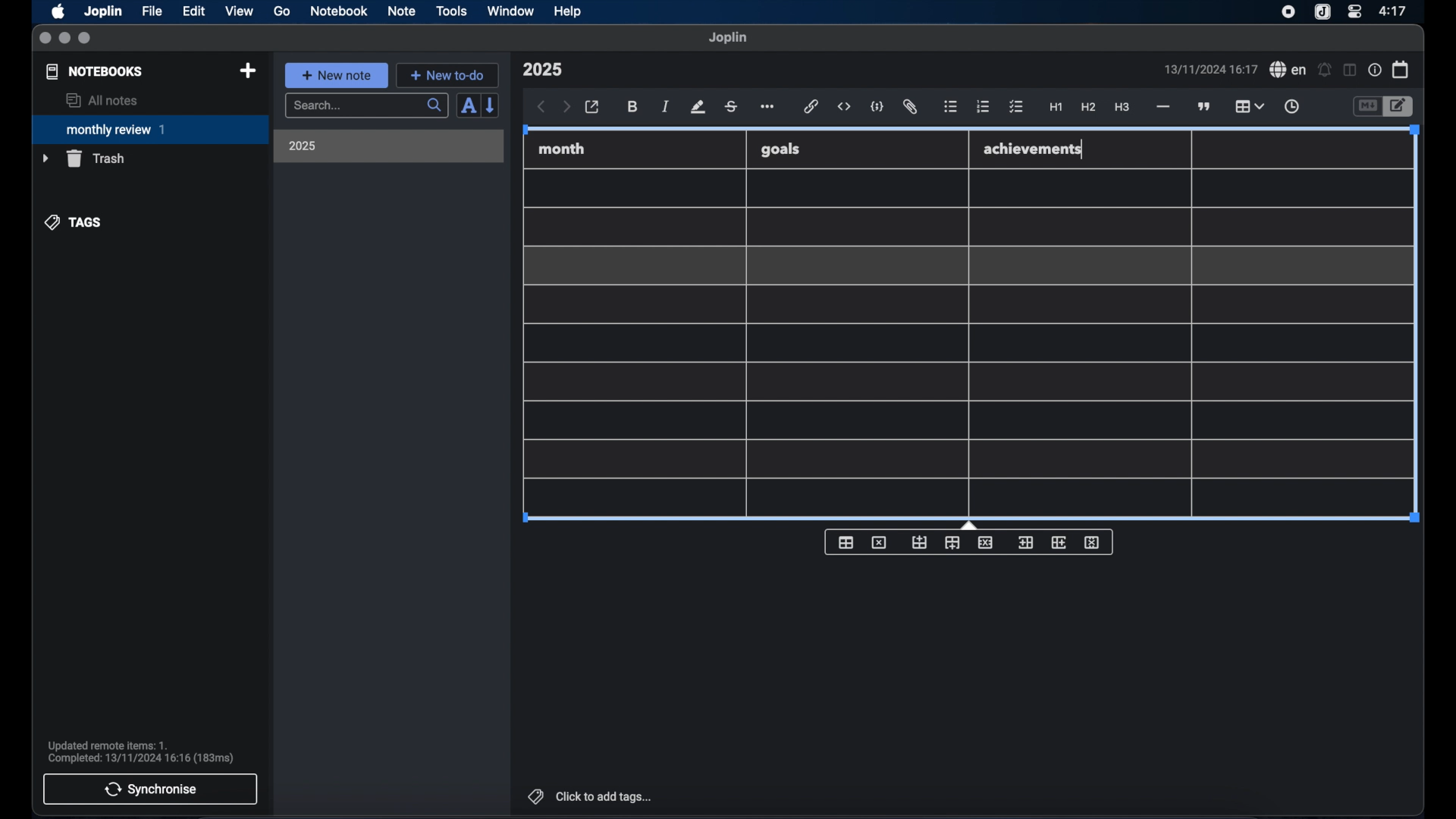 The image size is (1456, 819). What do you see at coordinates (1210, 69) in the screenshot?
I see `date` at bounding box center [1210, 69].